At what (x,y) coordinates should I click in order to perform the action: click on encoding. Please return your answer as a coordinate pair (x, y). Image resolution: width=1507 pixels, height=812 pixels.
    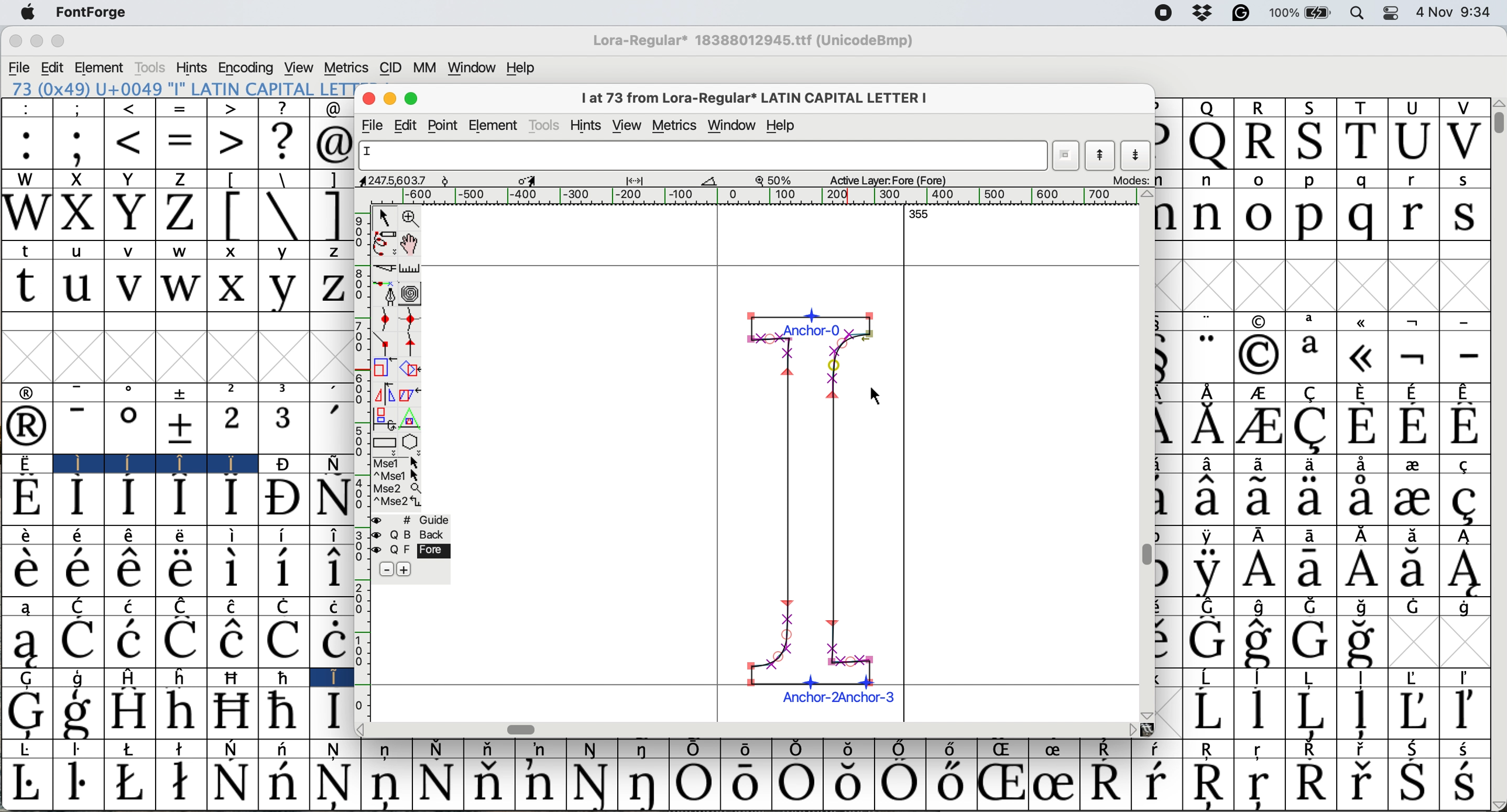
    Looking at the image, I should click on (247, 67).